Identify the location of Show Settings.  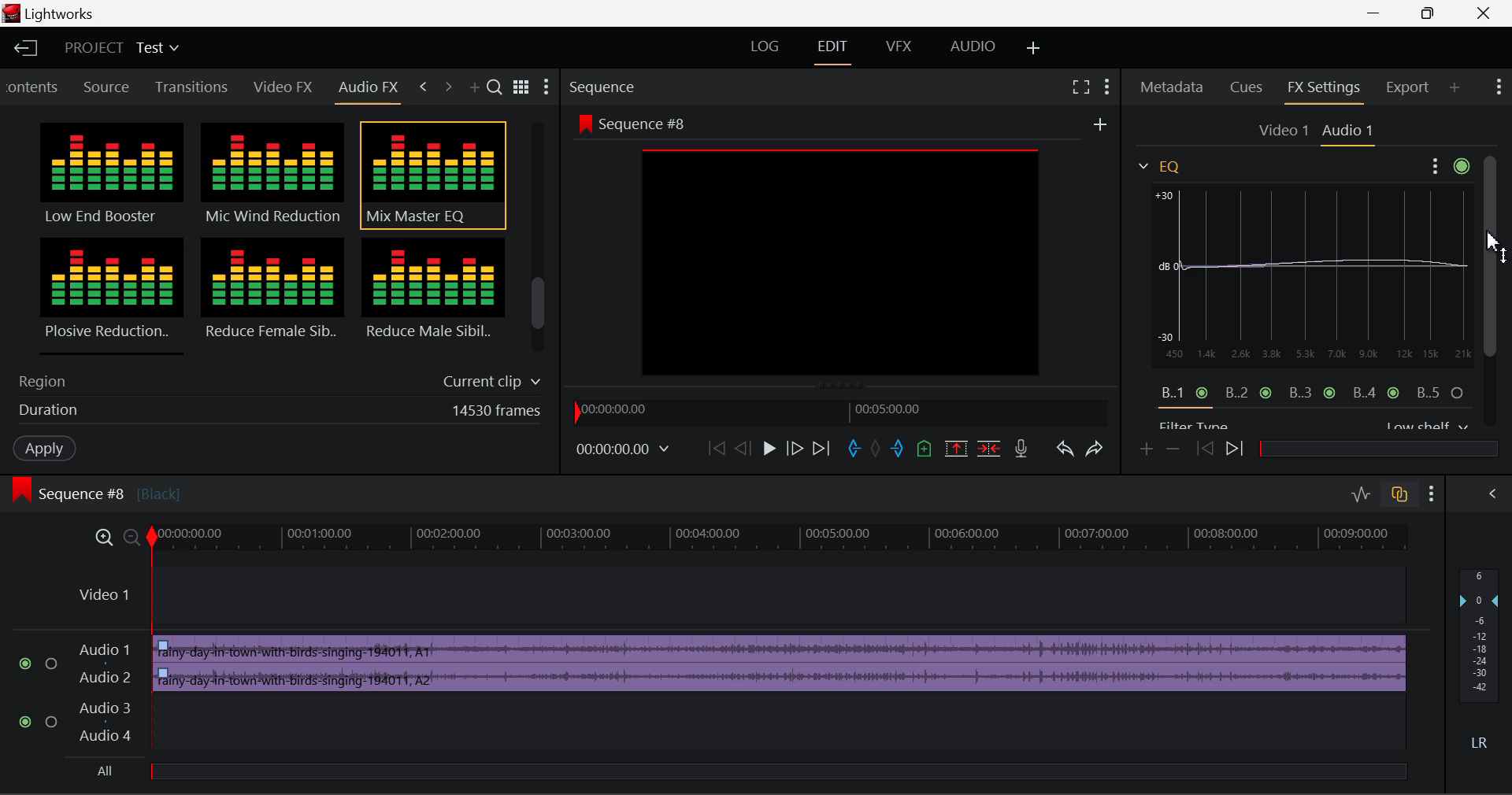
(1435, 494).